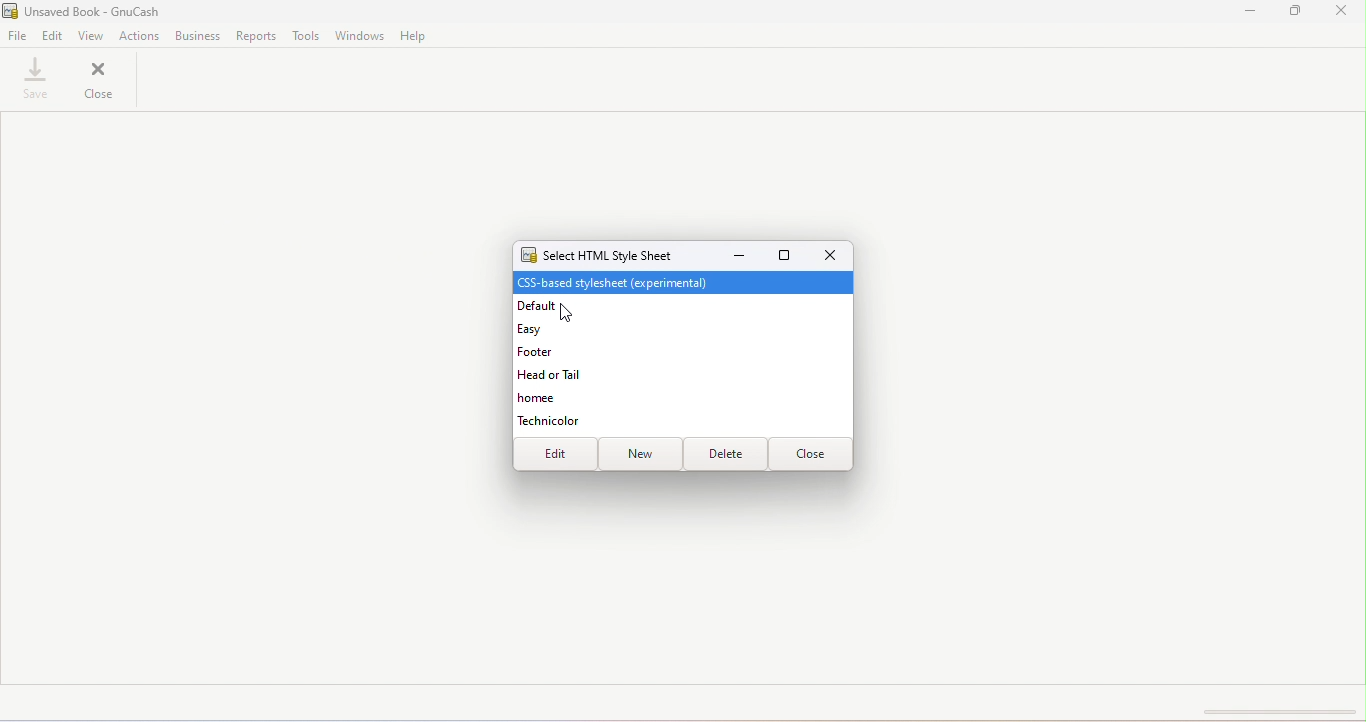 The width and height of the screenshot is (1366, 722). I want to click on Technicolor, so click(548, 421).